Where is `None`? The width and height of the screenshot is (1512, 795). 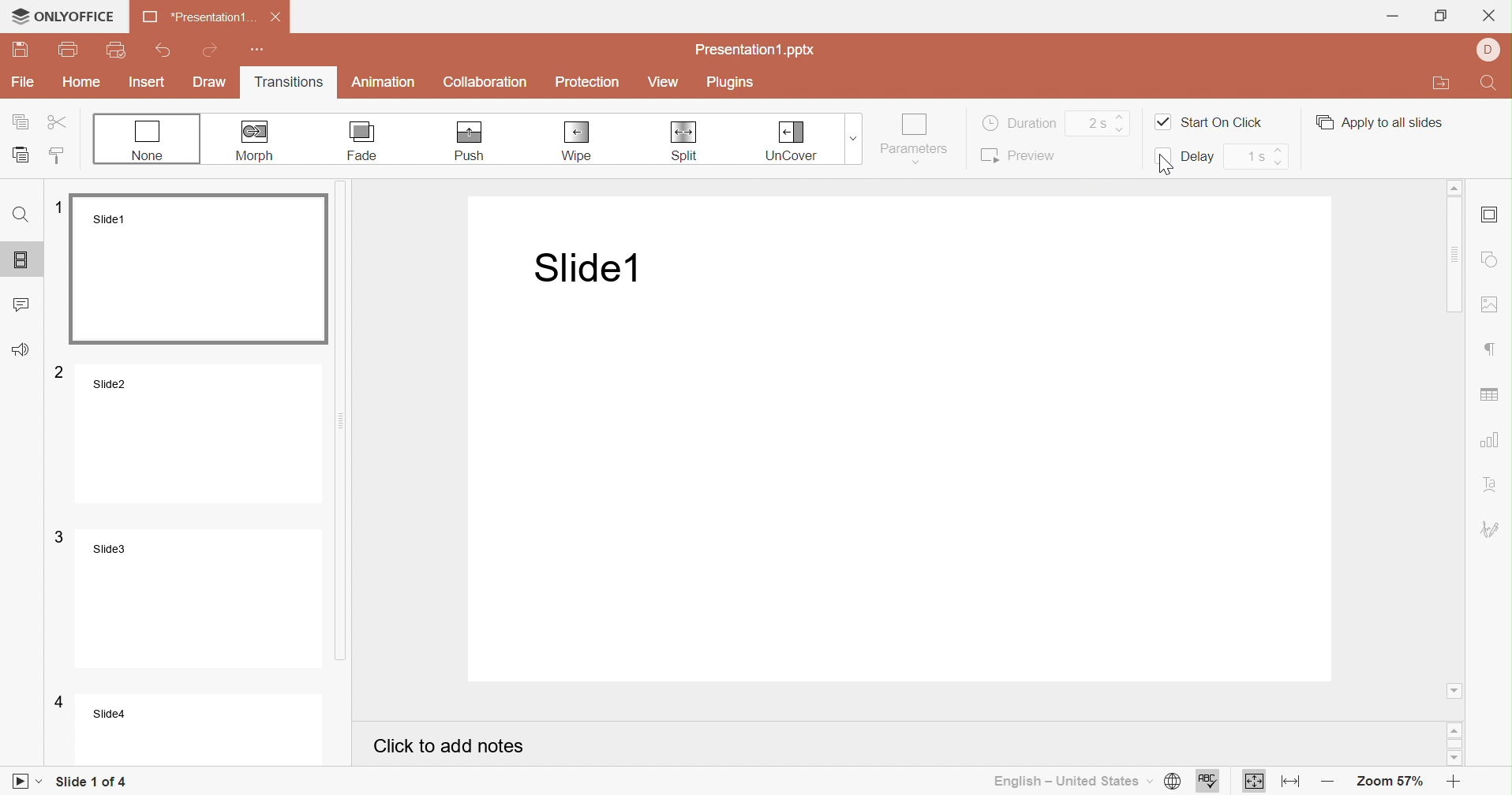 None is located at coordinates (148, 140).